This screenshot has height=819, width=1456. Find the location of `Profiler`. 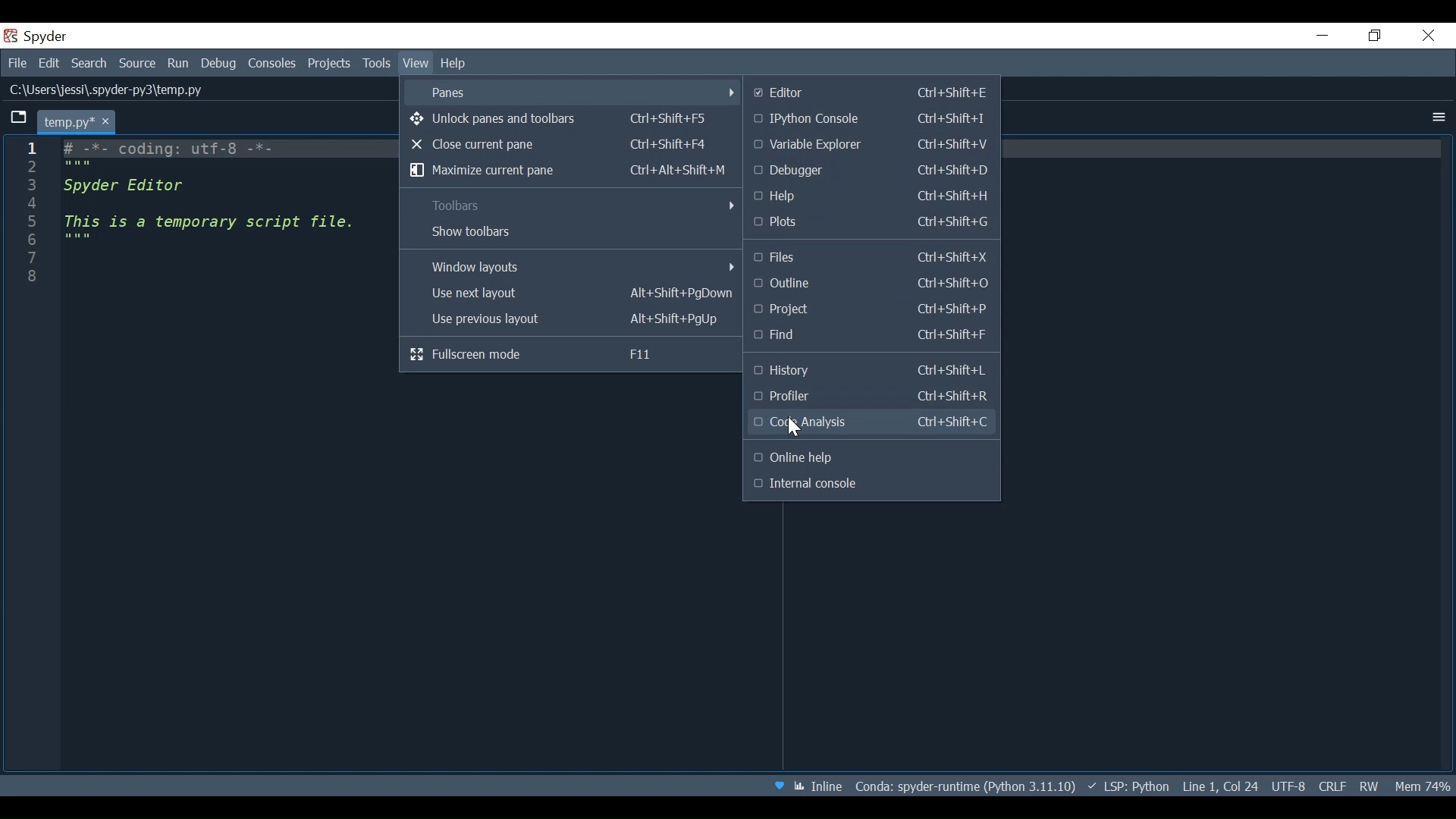

Profiler is located at coordinates (873, 397).